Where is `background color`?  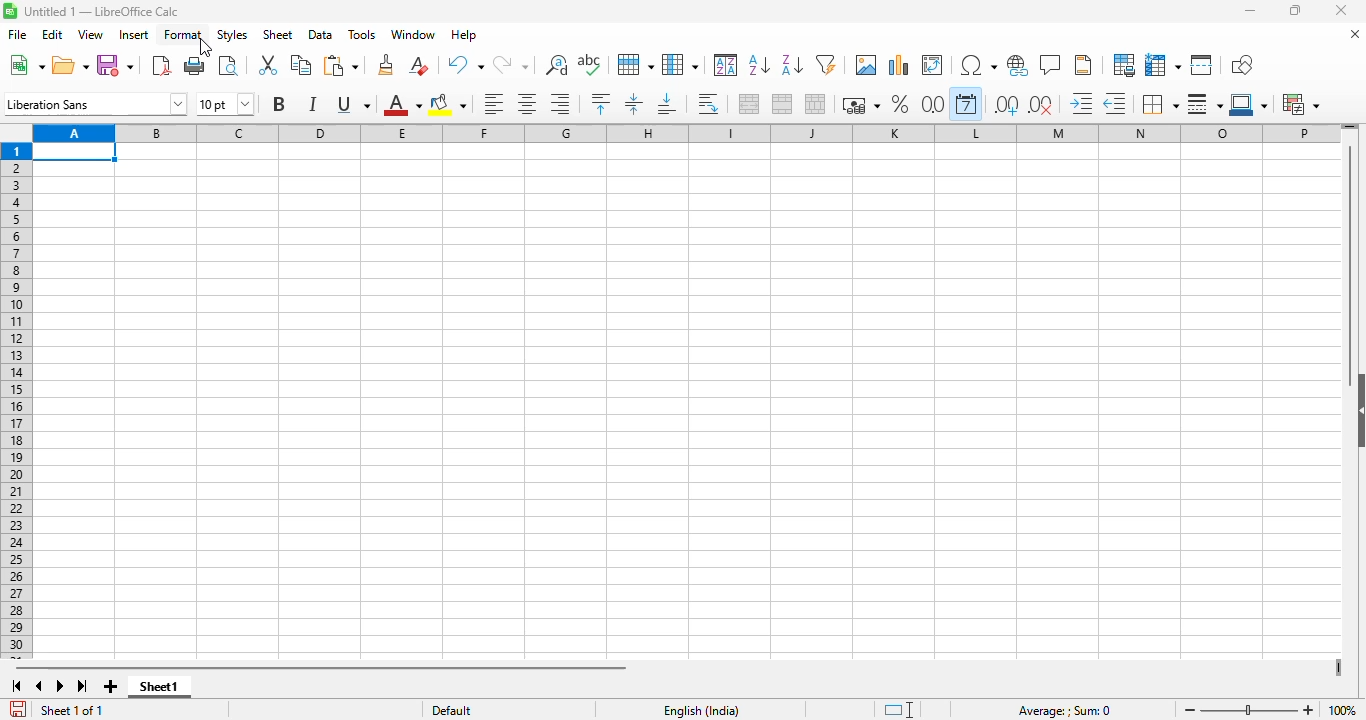
background color is located at coordinates (448, 105).